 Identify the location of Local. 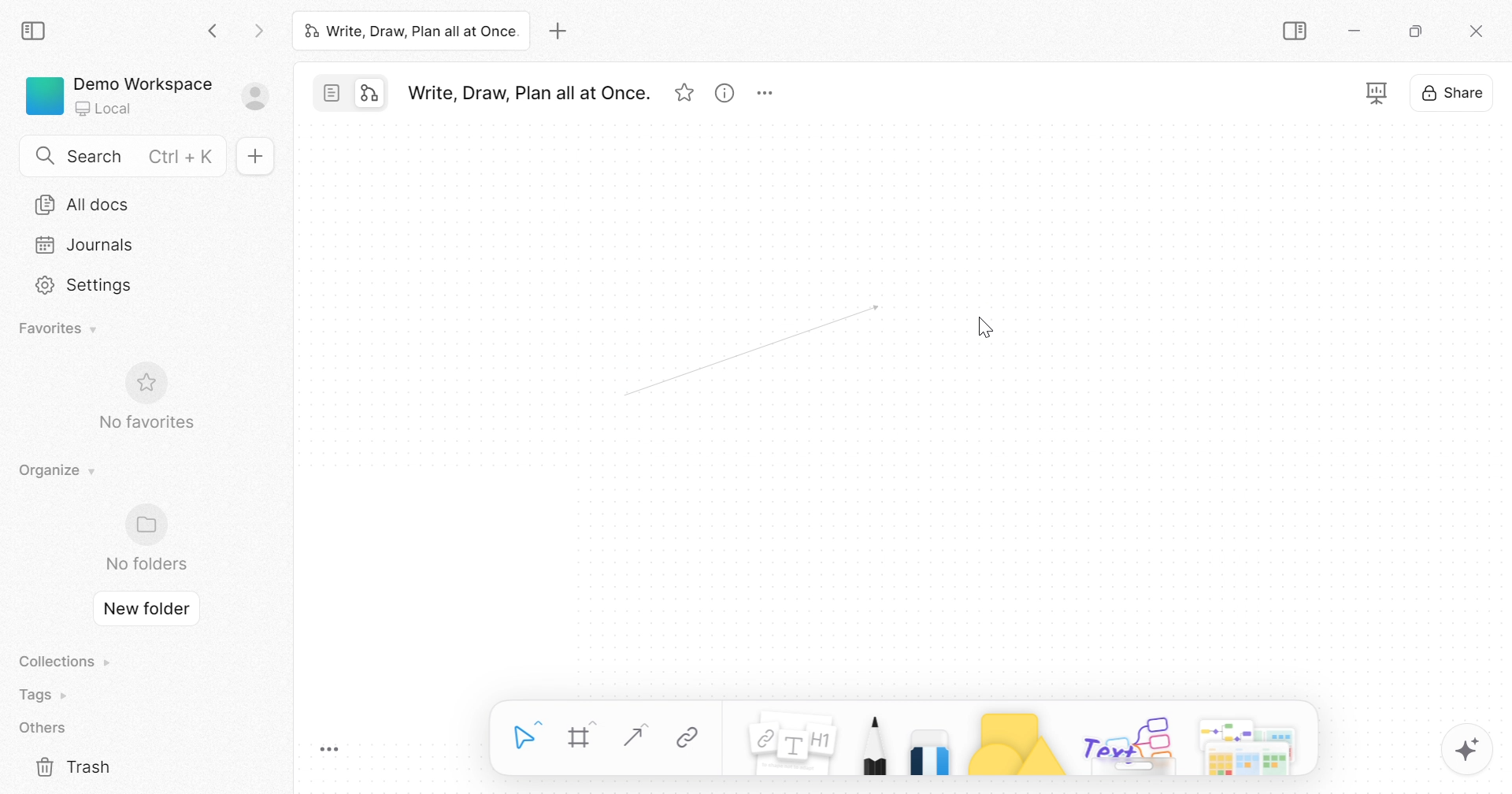
(105, 109).